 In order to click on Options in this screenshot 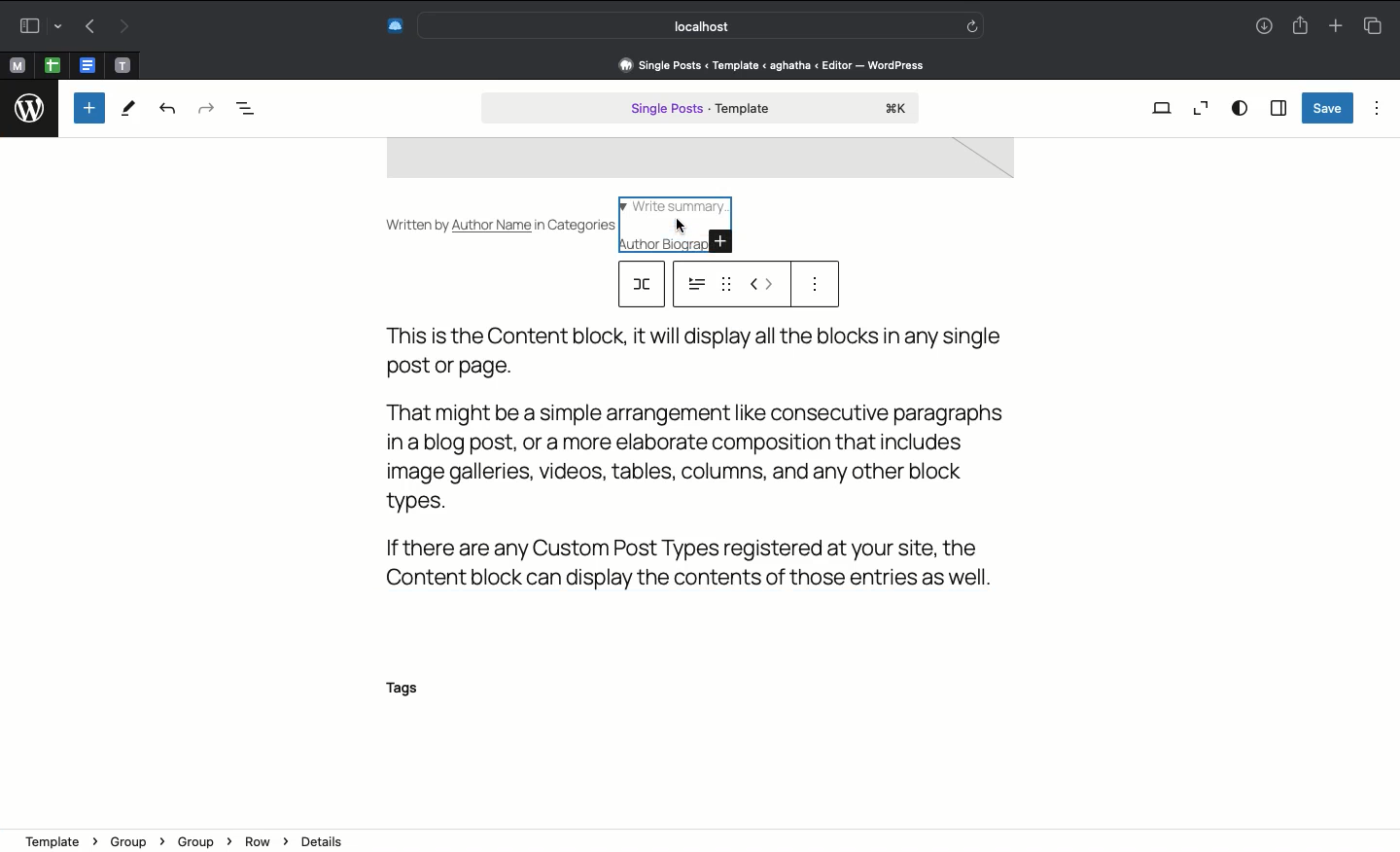, I will do `click(1377, 107)`.